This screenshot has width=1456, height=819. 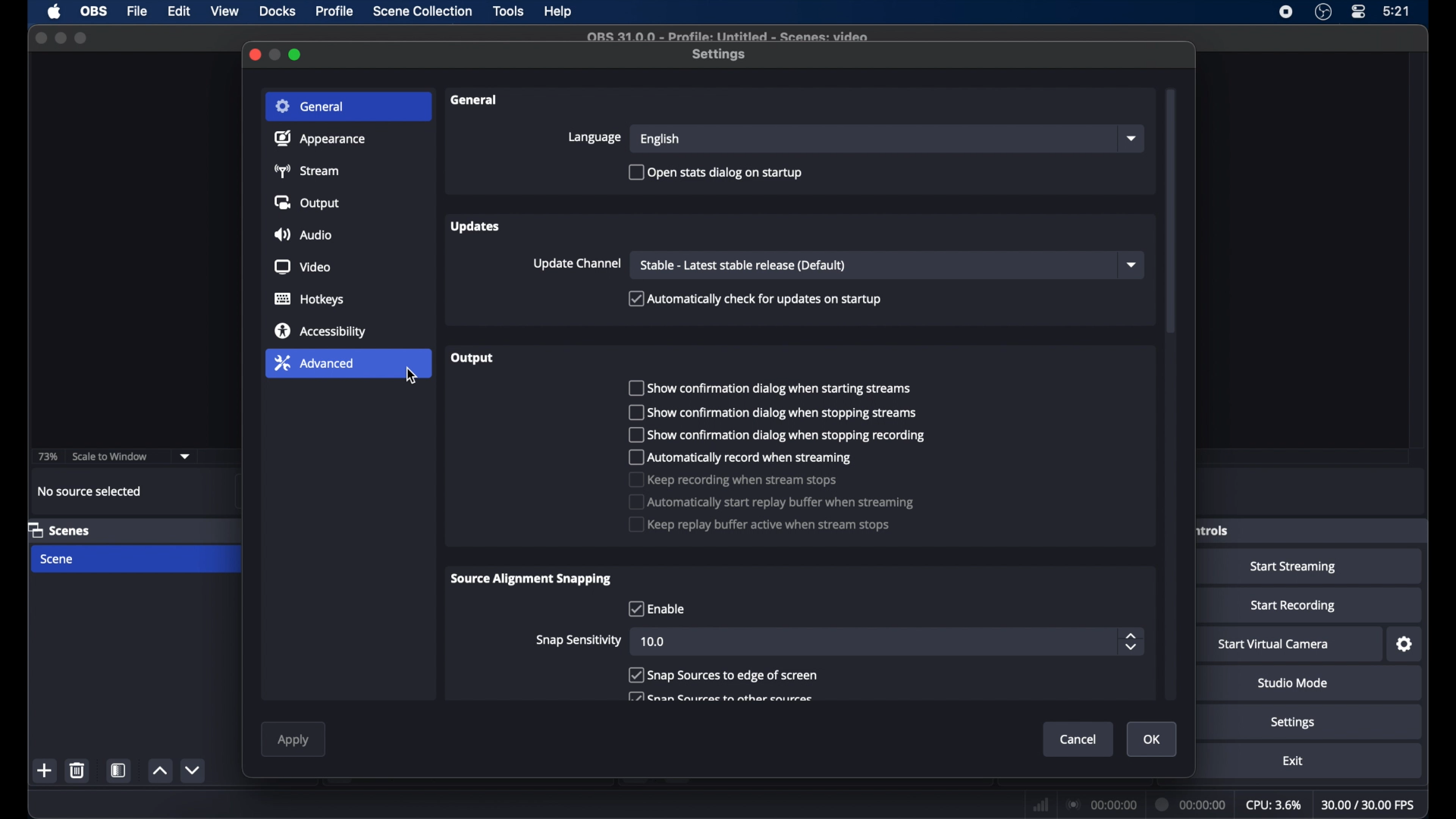 What do you see at coordinates (652, 642) in the screenshot?
I see `10.0` at bounding box center [652, 642].